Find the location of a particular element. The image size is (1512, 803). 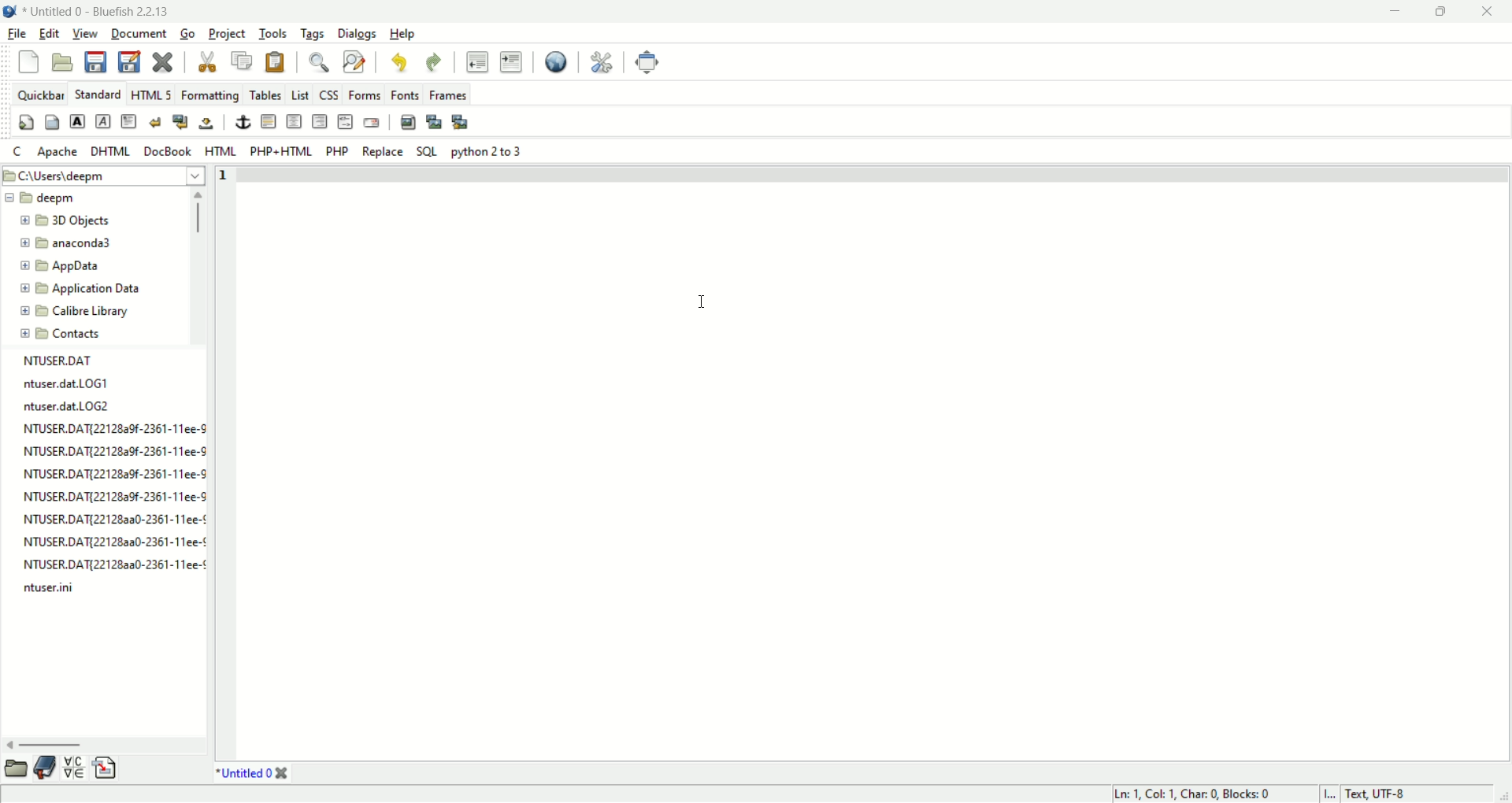

indent is located at coordinates (511, 61).